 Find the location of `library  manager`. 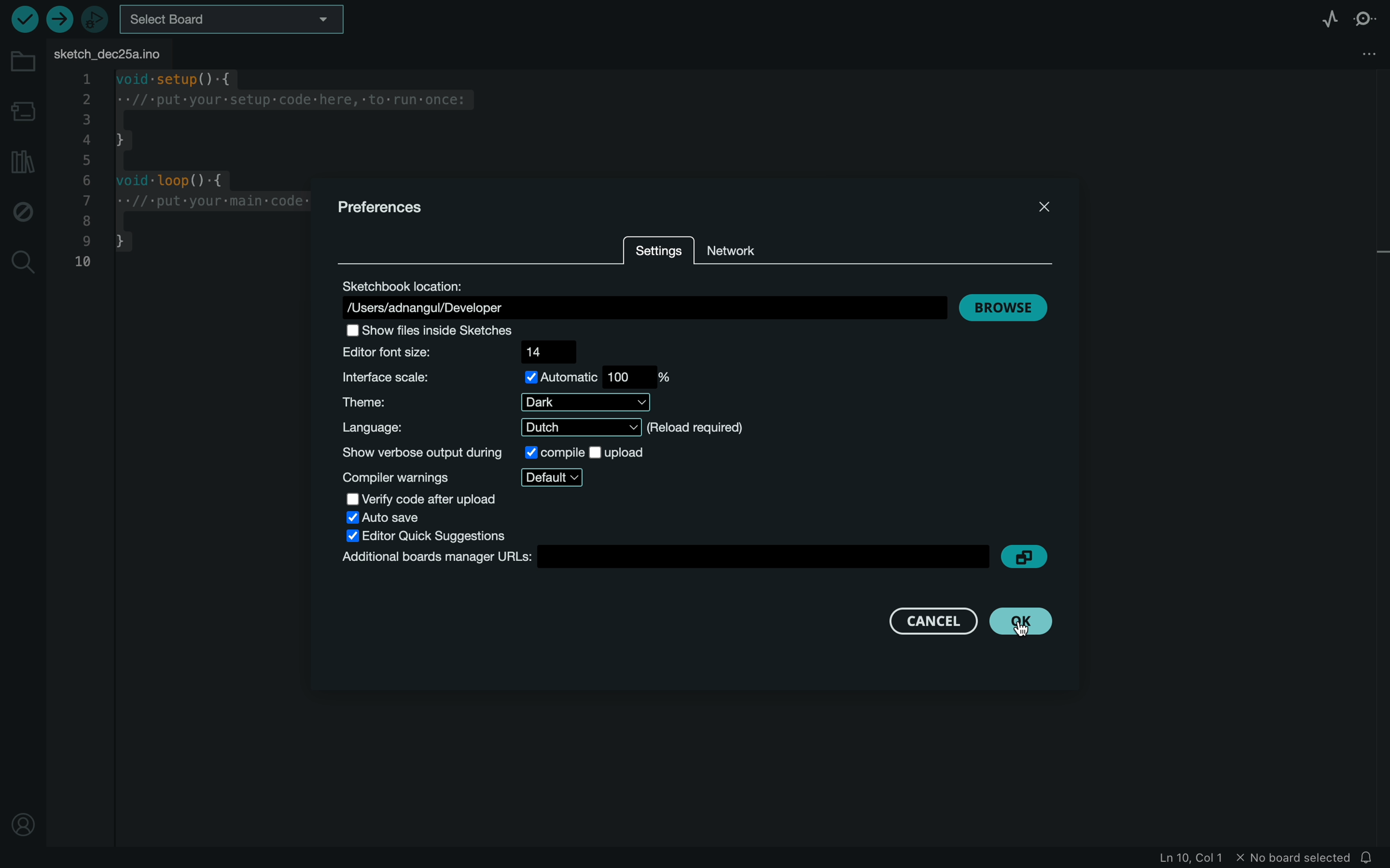

library  manager is located at coordinates (21, 161).